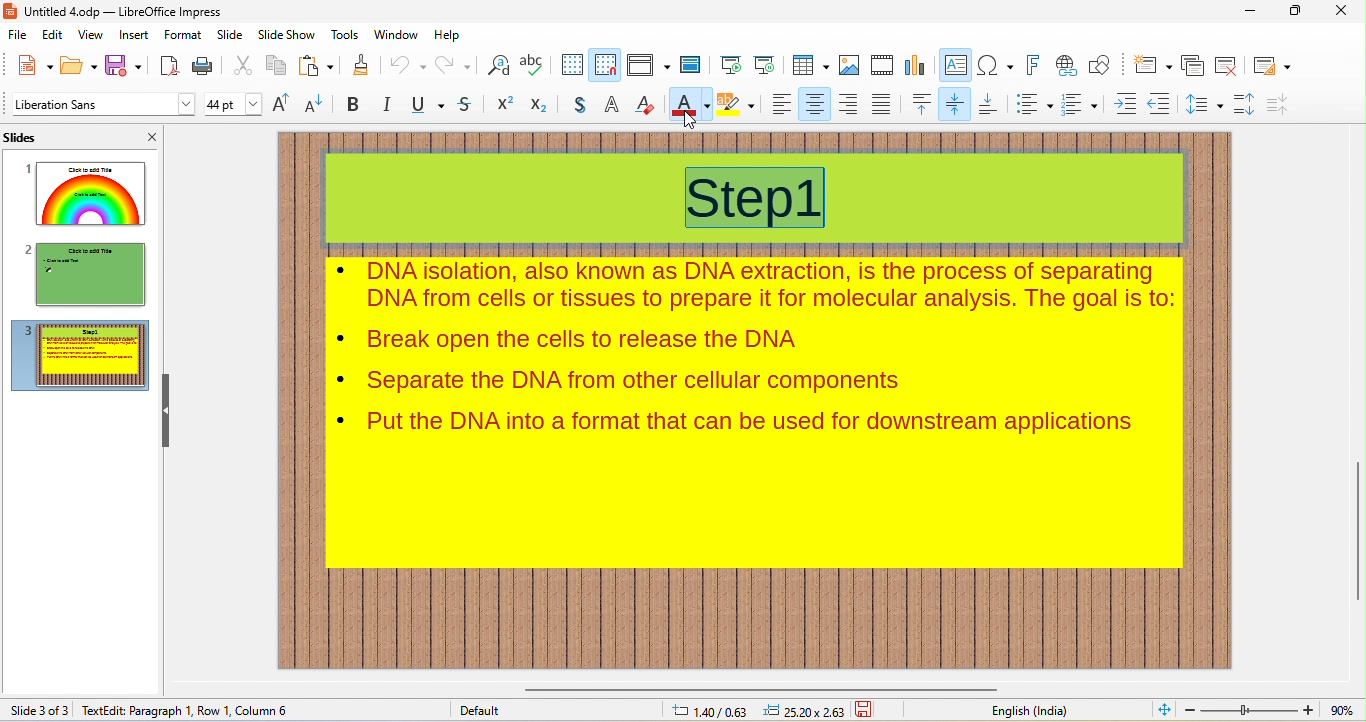 The image size is (1366, 722). Describe the element at coordinates (753, 344) in the screenshot. I see `contents` at that location.